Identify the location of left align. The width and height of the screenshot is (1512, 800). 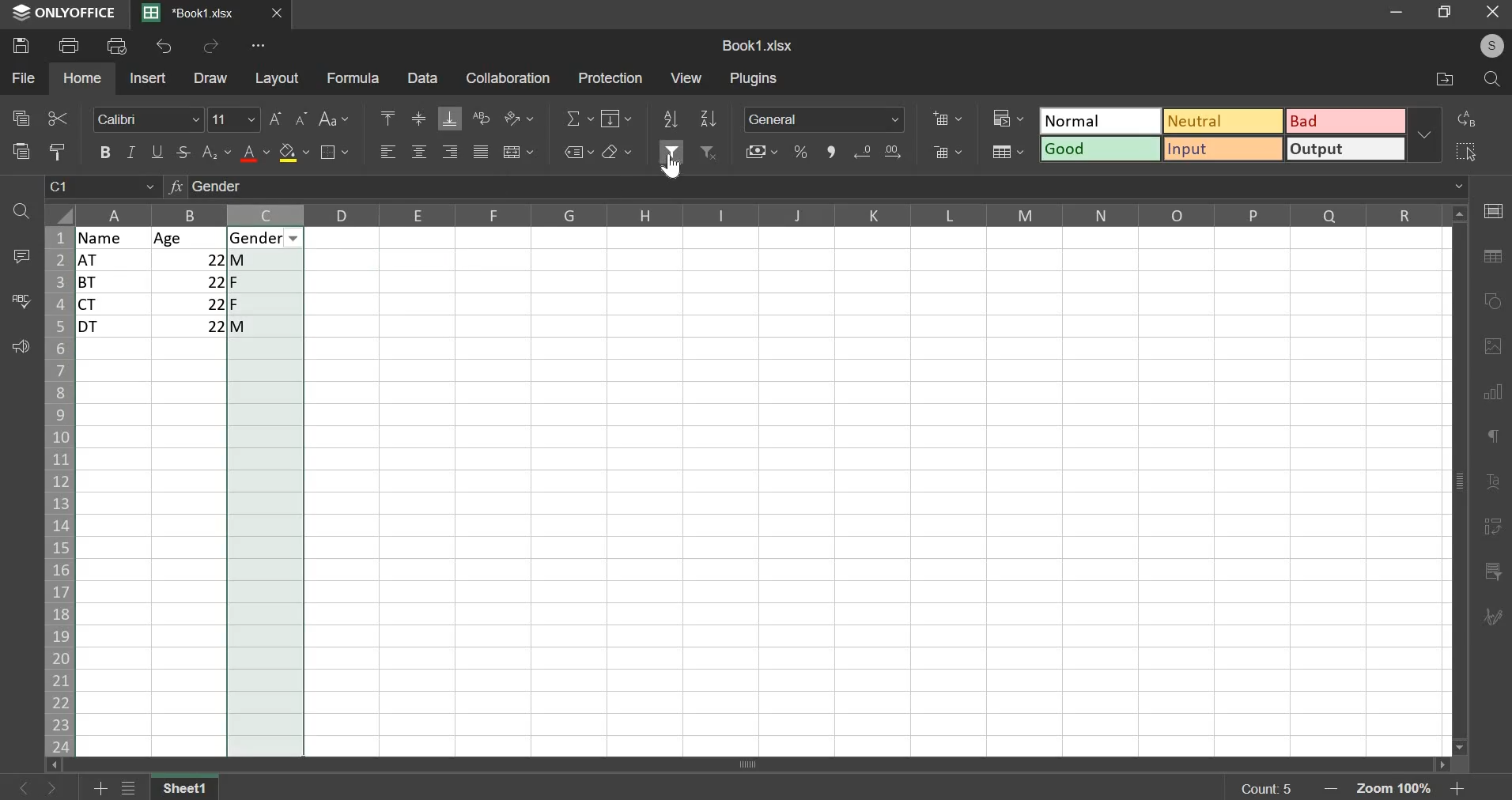
(388, 152).